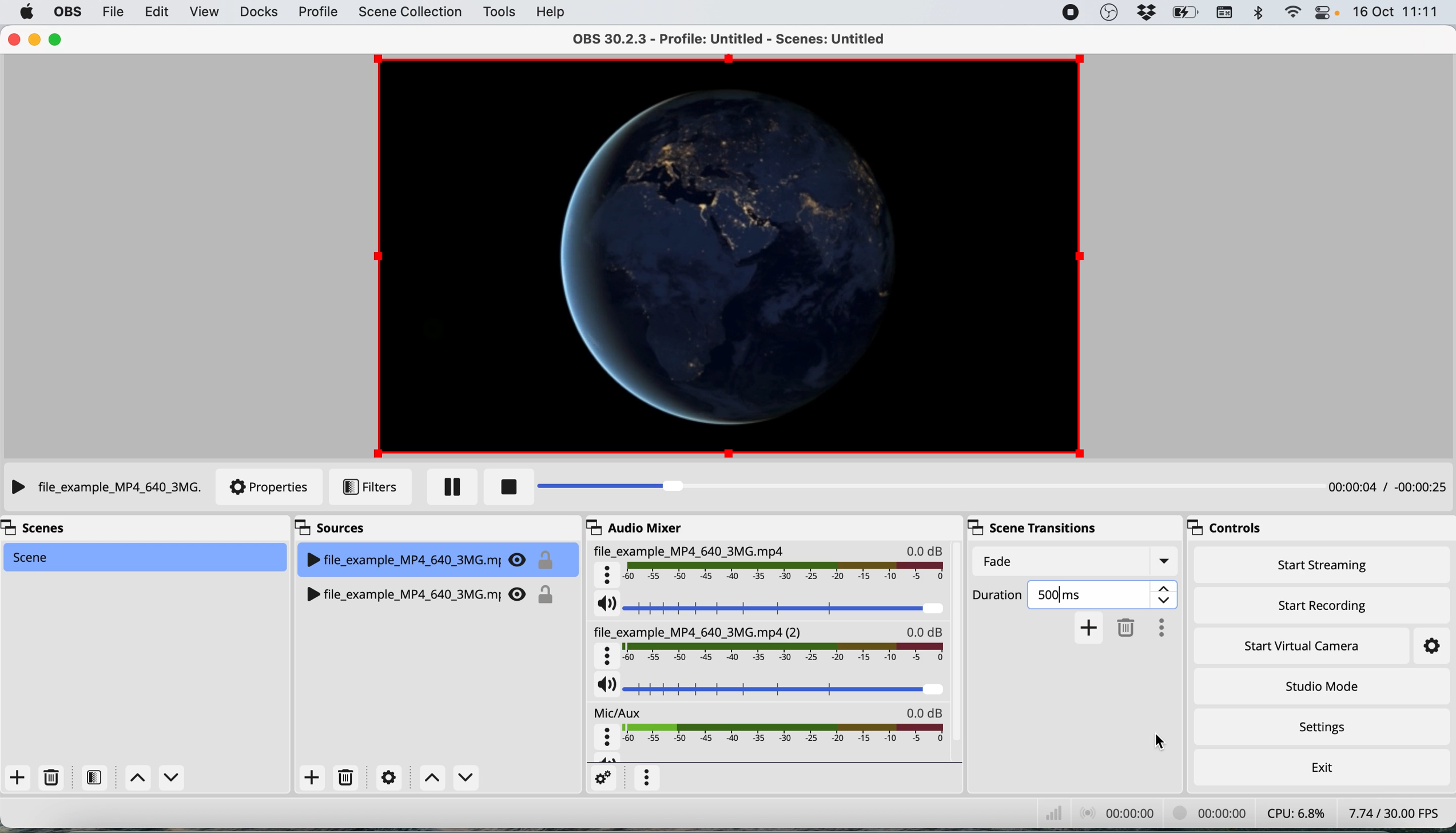 This screenshot has height=833, width=1456. What do you see at coordinates (1386, 489) in the screenshot?
I see `timestamp` at bounding box center [1386, 489].